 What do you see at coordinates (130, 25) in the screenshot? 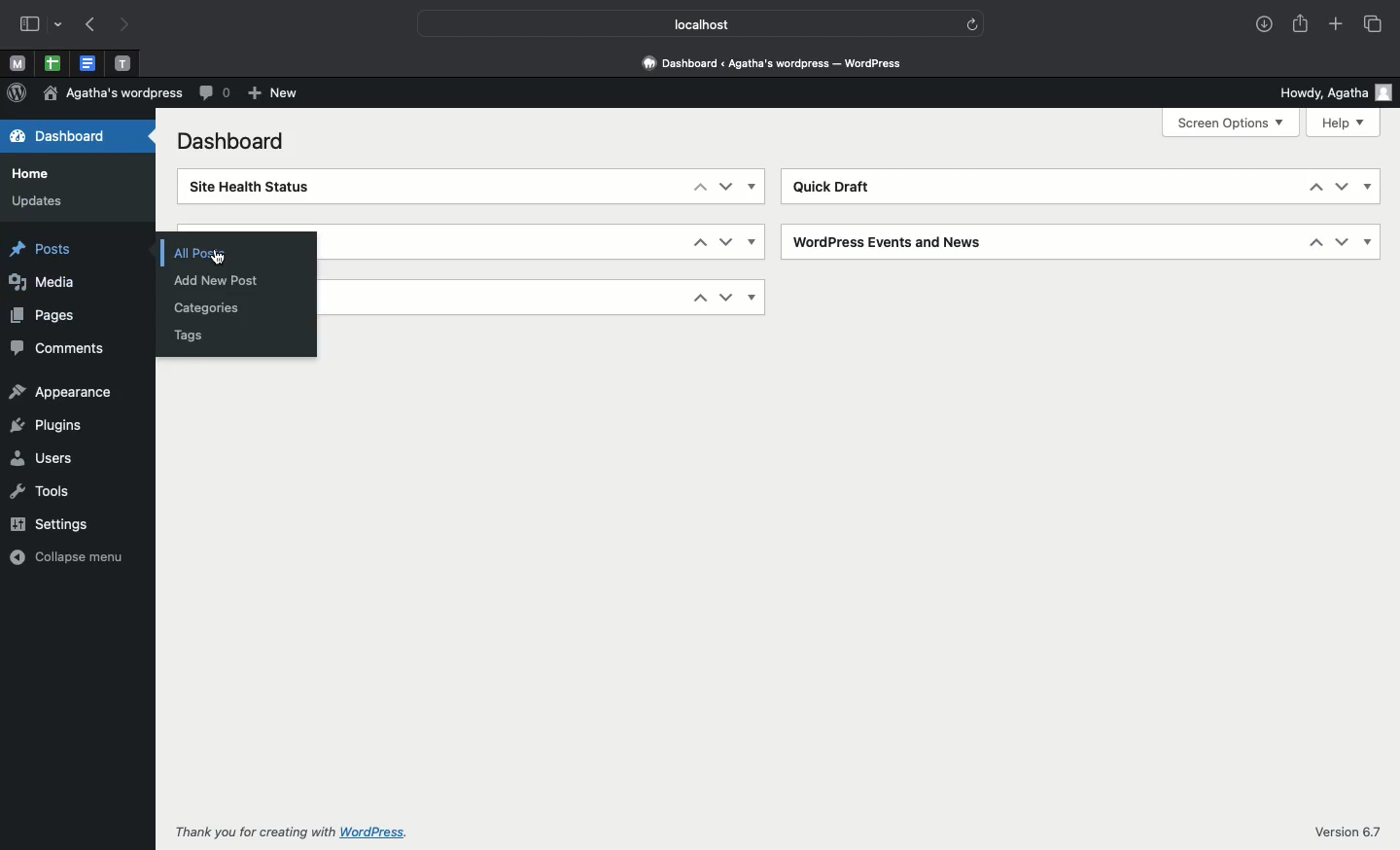
I see `Next page` at bounding box center [130, 25].